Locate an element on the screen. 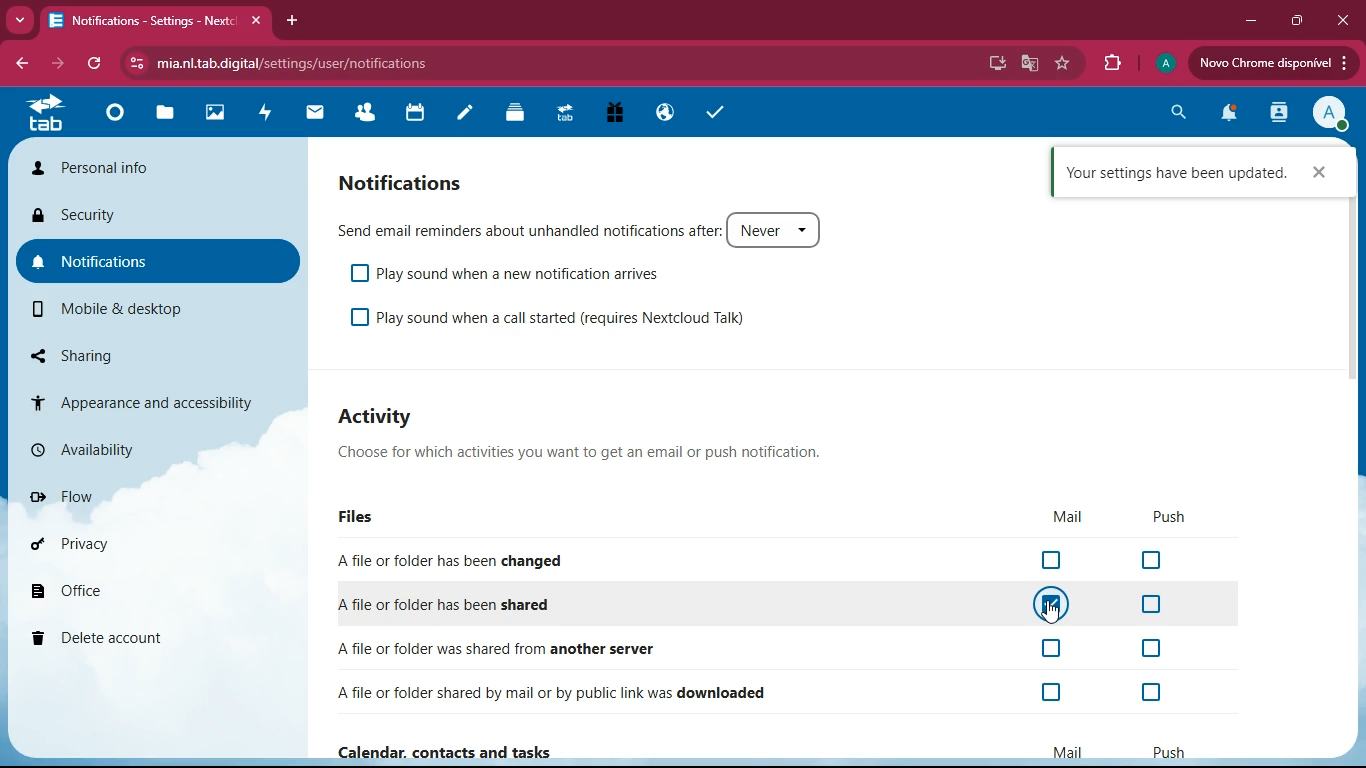 The image size is (1366, 768). activity is located at coordinates (263, 115).